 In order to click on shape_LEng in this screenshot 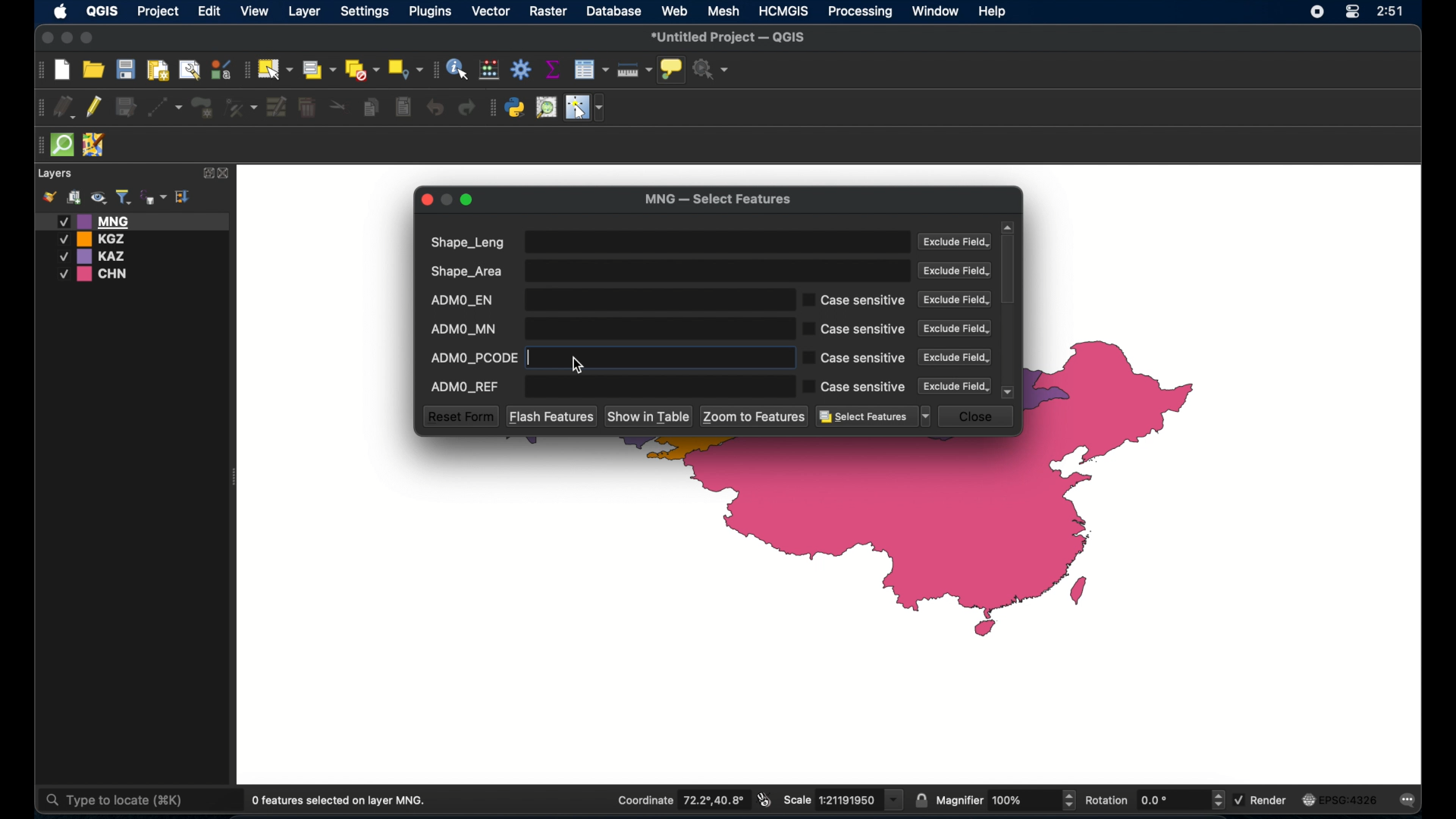, I will do `click(667, 242)`.